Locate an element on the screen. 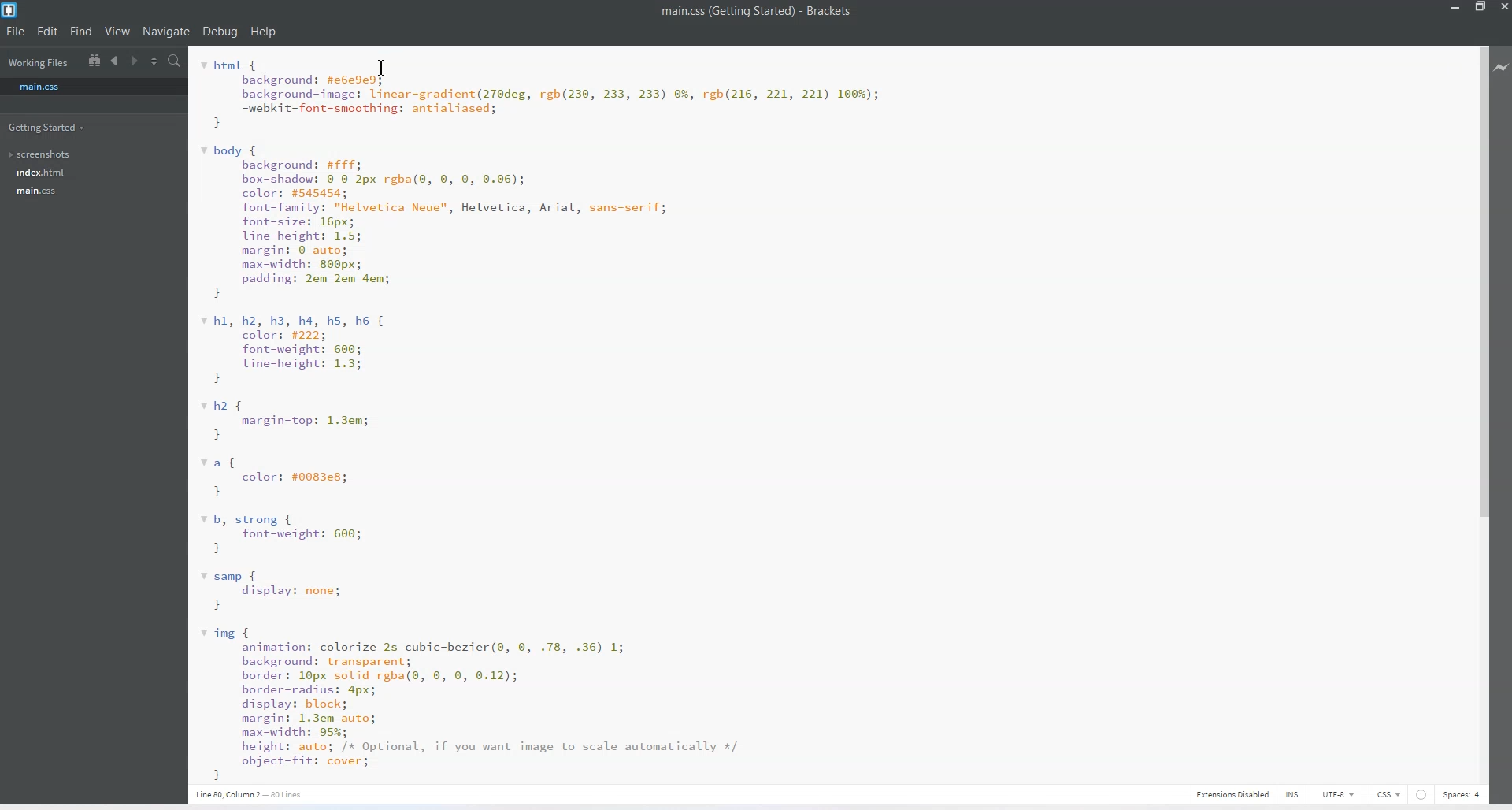  Edit is located at coordinates (48, 32).